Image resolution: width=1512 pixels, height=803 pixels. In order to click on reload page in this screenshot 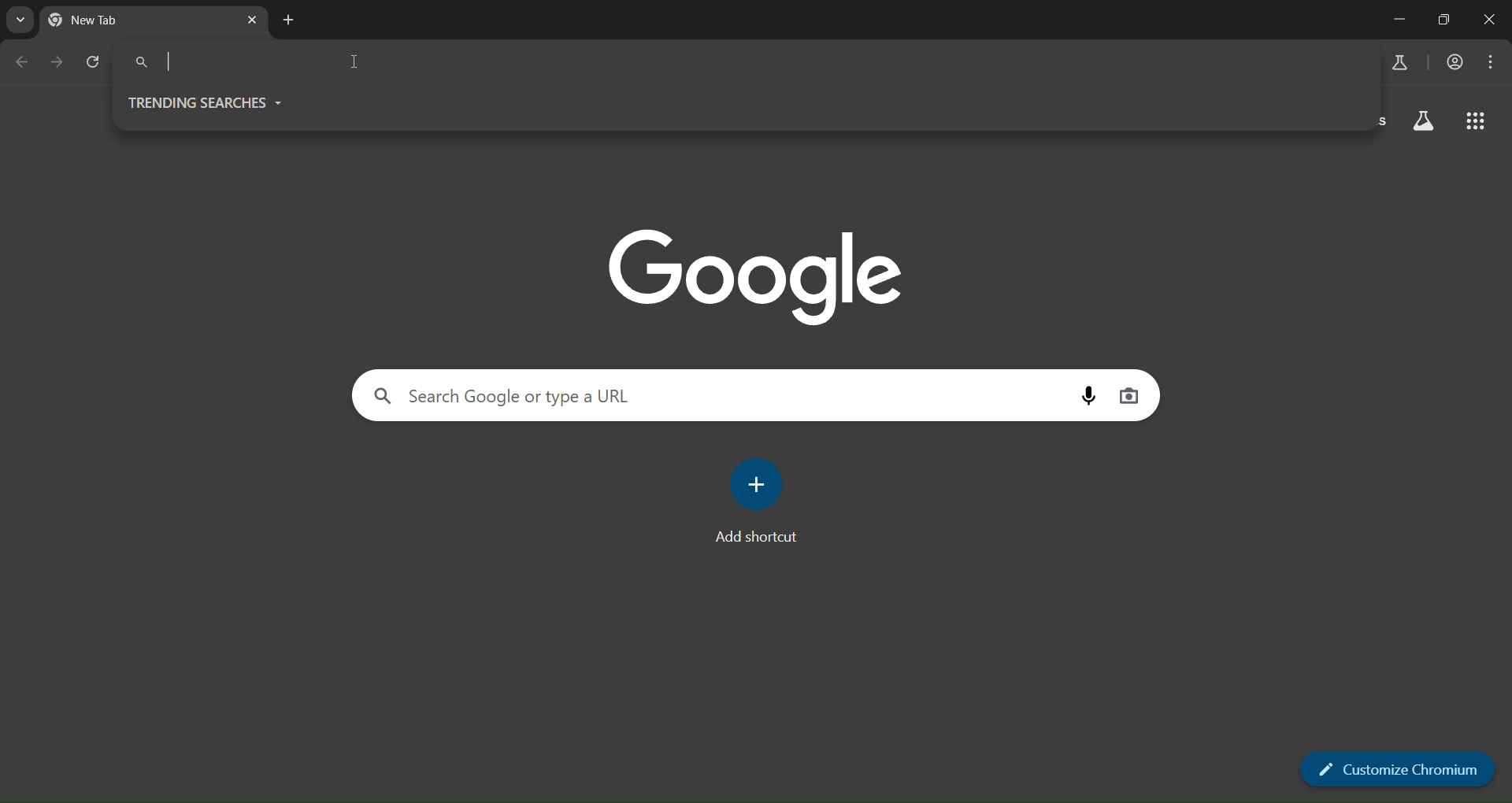, I will do `click(91, 60)`.